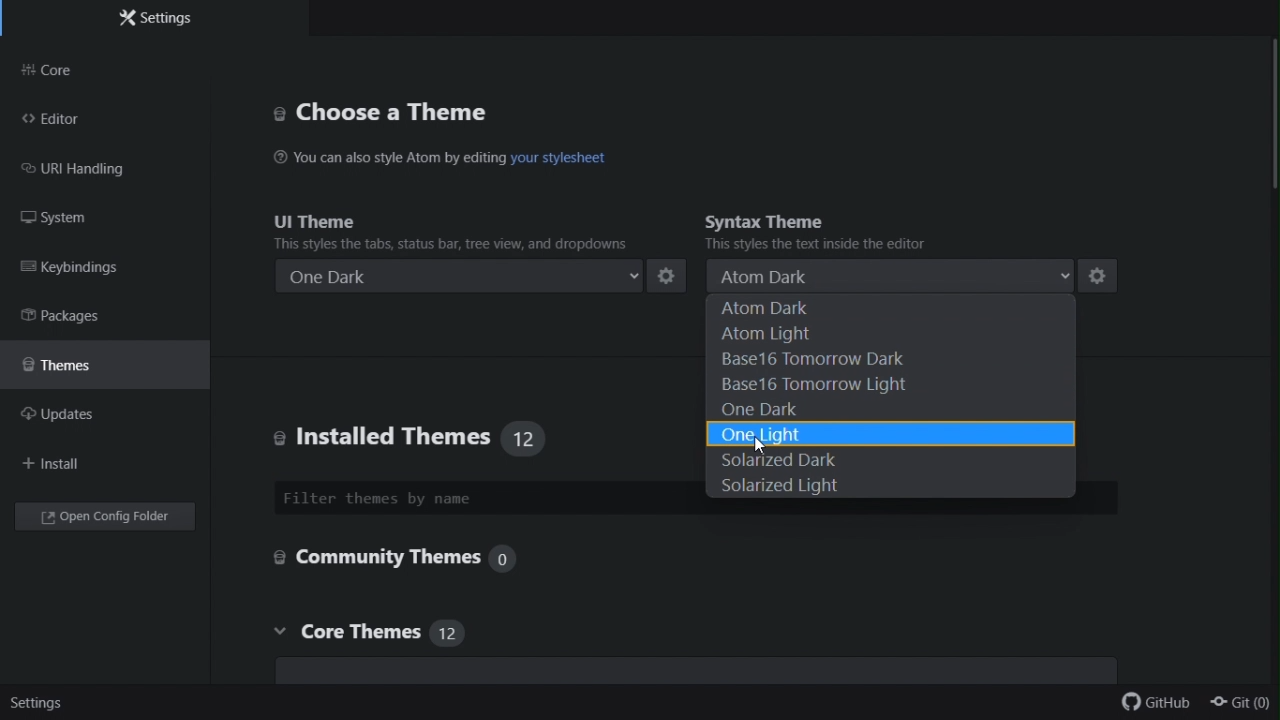 Image resolution: width=1280 pixels, height=720 pixels. What do you see at coordinates (418, 429) in the screenshot?
I see `Installed themes` at bounding box center [418, 429].